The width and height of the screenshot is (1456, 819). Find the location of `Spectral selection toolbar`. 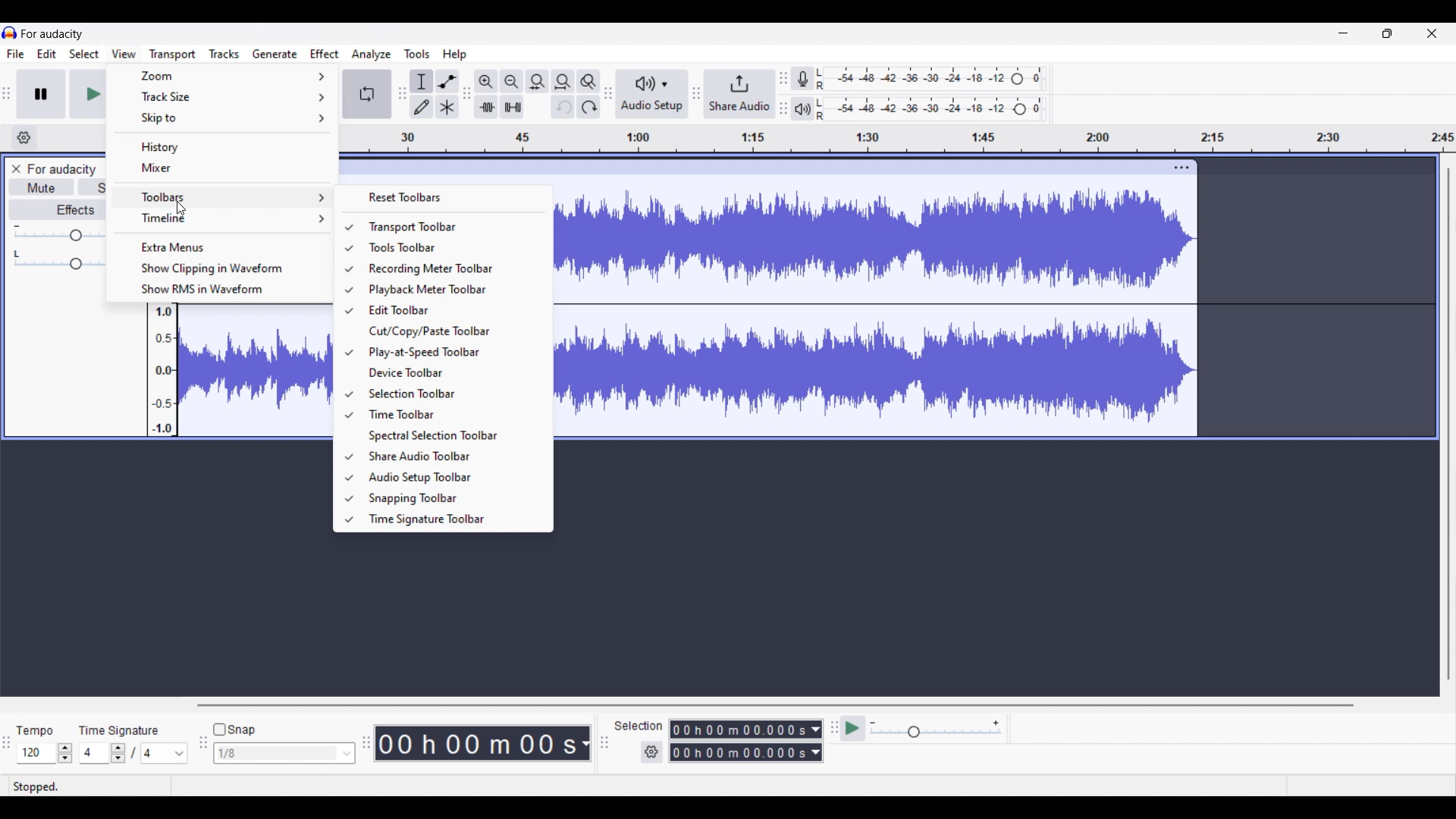

Spectral selection toolbar is located at coordinates (453, 436).